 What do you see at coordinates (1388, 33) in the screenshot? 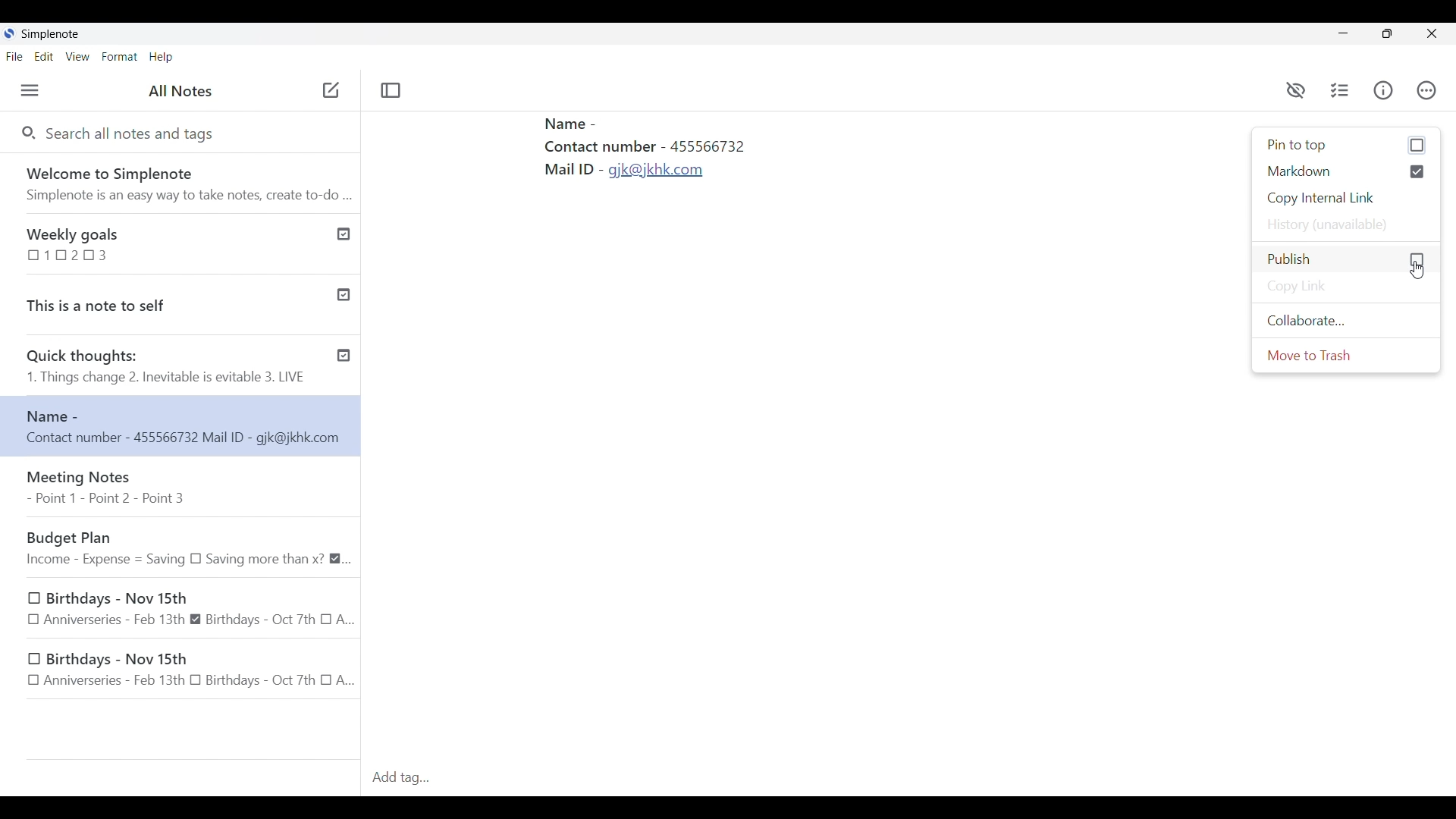
I see `Show interface in a smaller tab` at bounding box center [1388, 33].